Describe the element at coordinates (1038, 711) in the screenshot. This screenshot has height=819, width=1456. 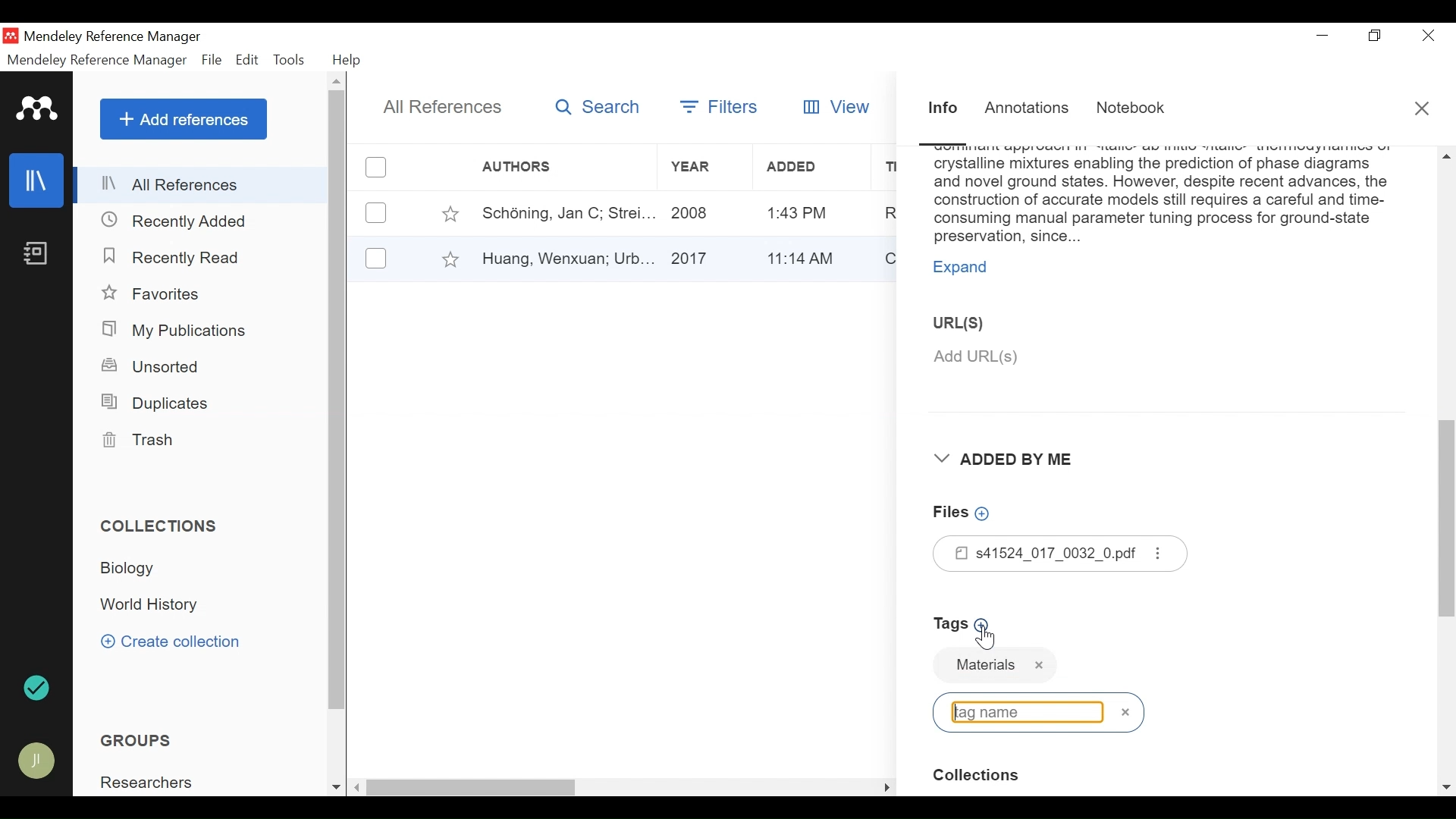
I see `Tag name` at that location.